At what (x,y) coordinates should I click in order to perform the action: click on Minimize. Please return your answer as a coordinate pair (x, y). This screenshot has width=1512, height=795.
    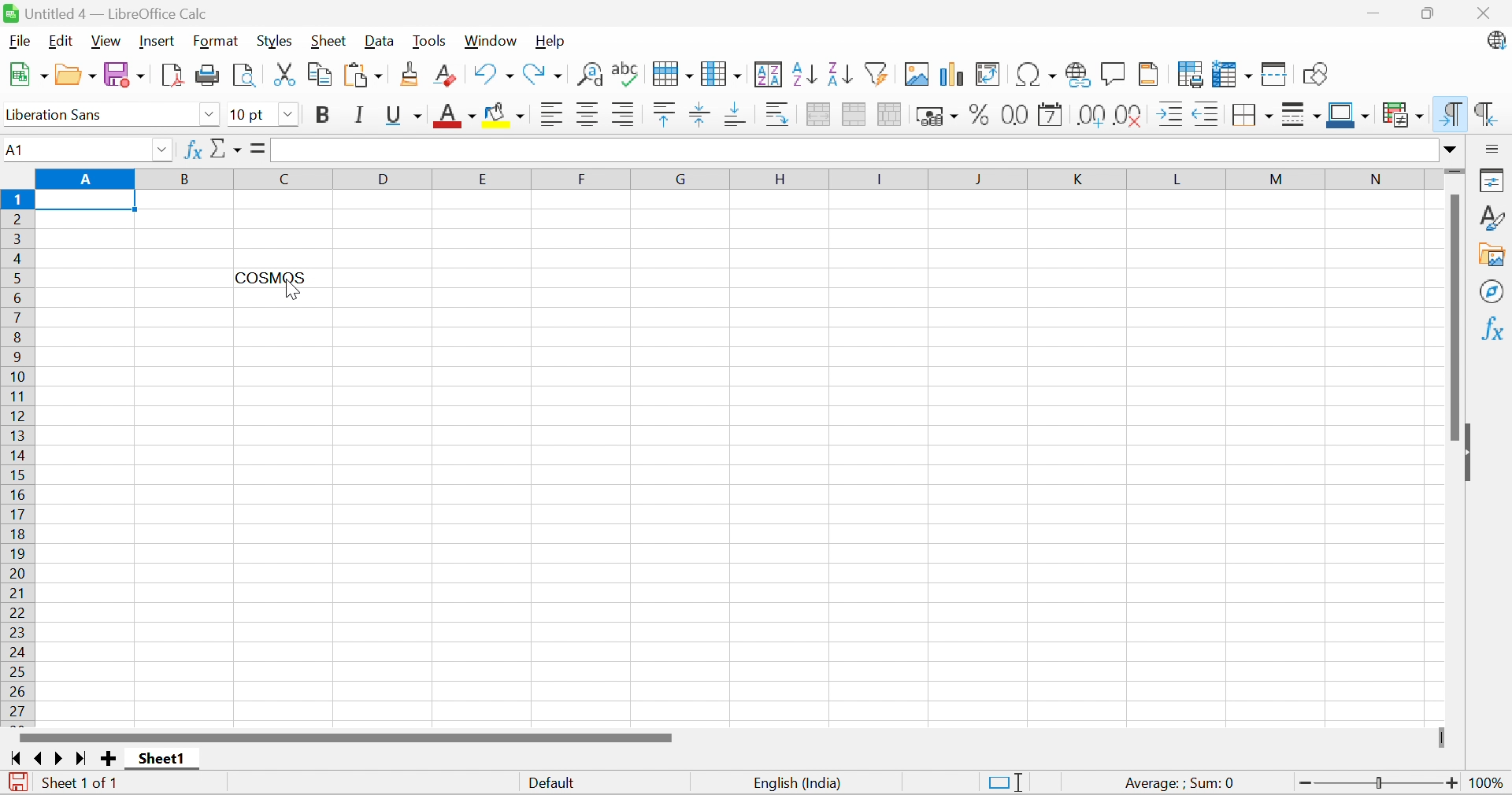
    Looking at the image, I should click on (1373, 13).